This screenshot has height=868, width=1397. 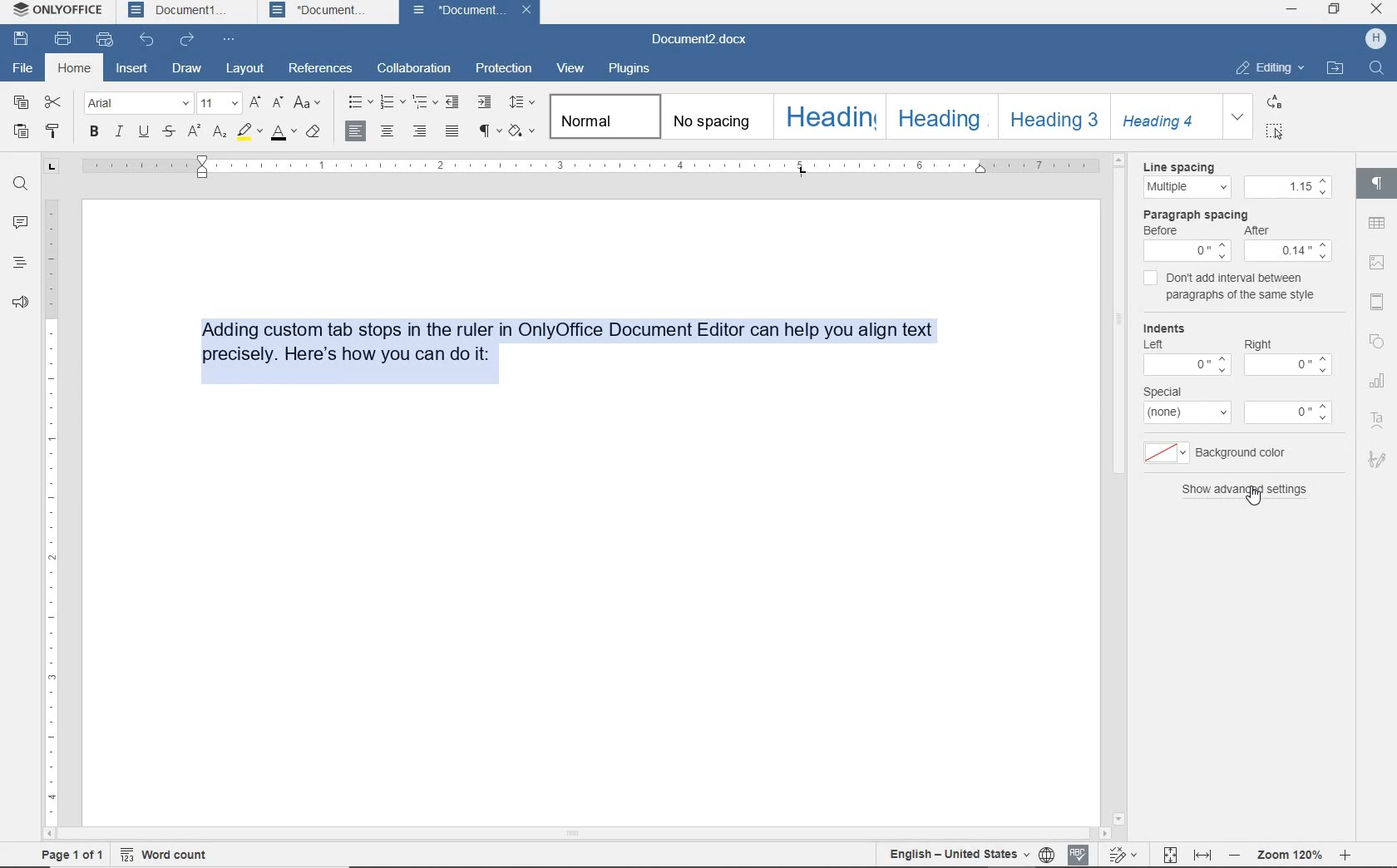 I want to click on fit to page, so click(x=1169, y=854).